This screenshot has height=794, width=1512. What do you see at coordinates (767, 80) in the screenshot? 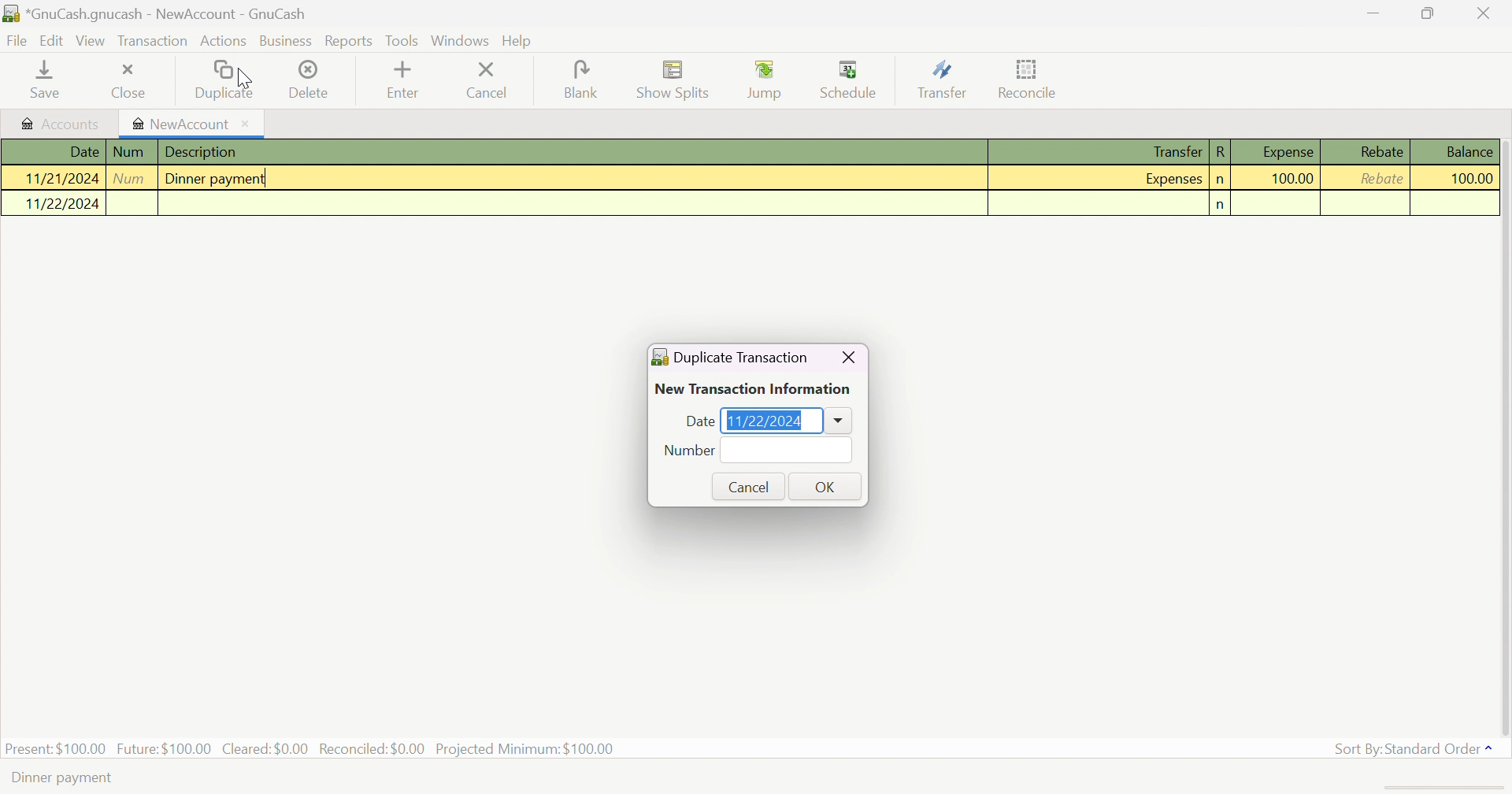
I see `Jump` at bounding box center [767, 80].